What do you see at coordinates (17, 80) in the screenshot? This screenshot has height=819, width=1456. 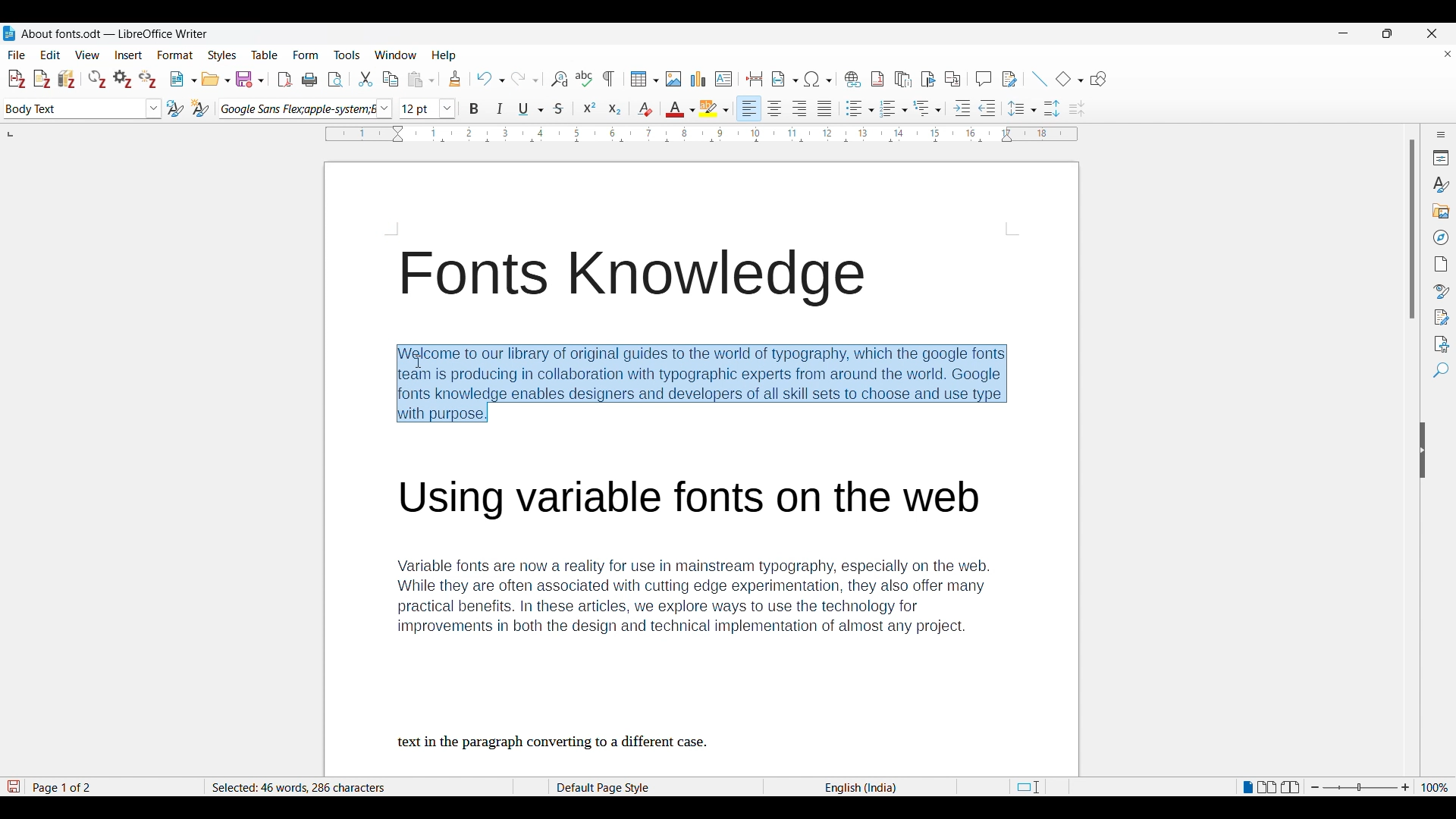 I see `Add\Edit citation` at bounding box center [17, 80].